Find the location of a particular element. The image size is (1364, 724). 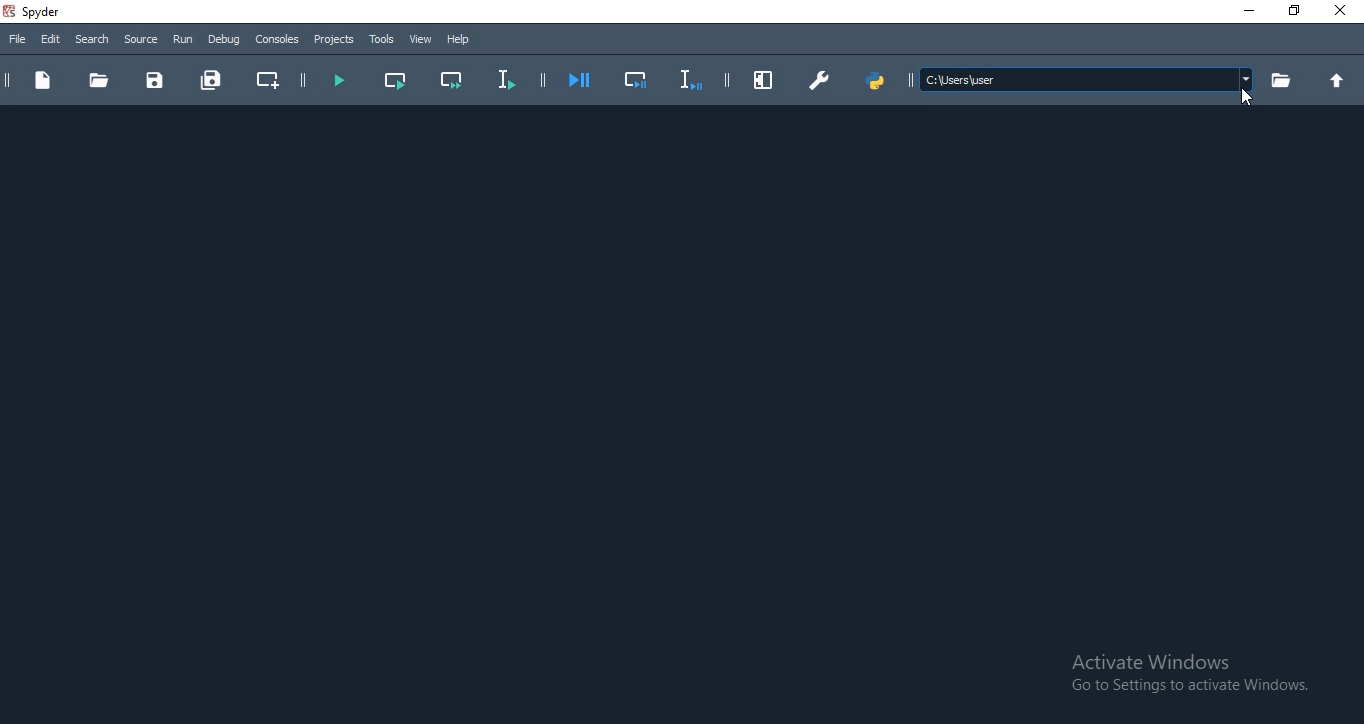

Run is located at coordinates (182, 40).